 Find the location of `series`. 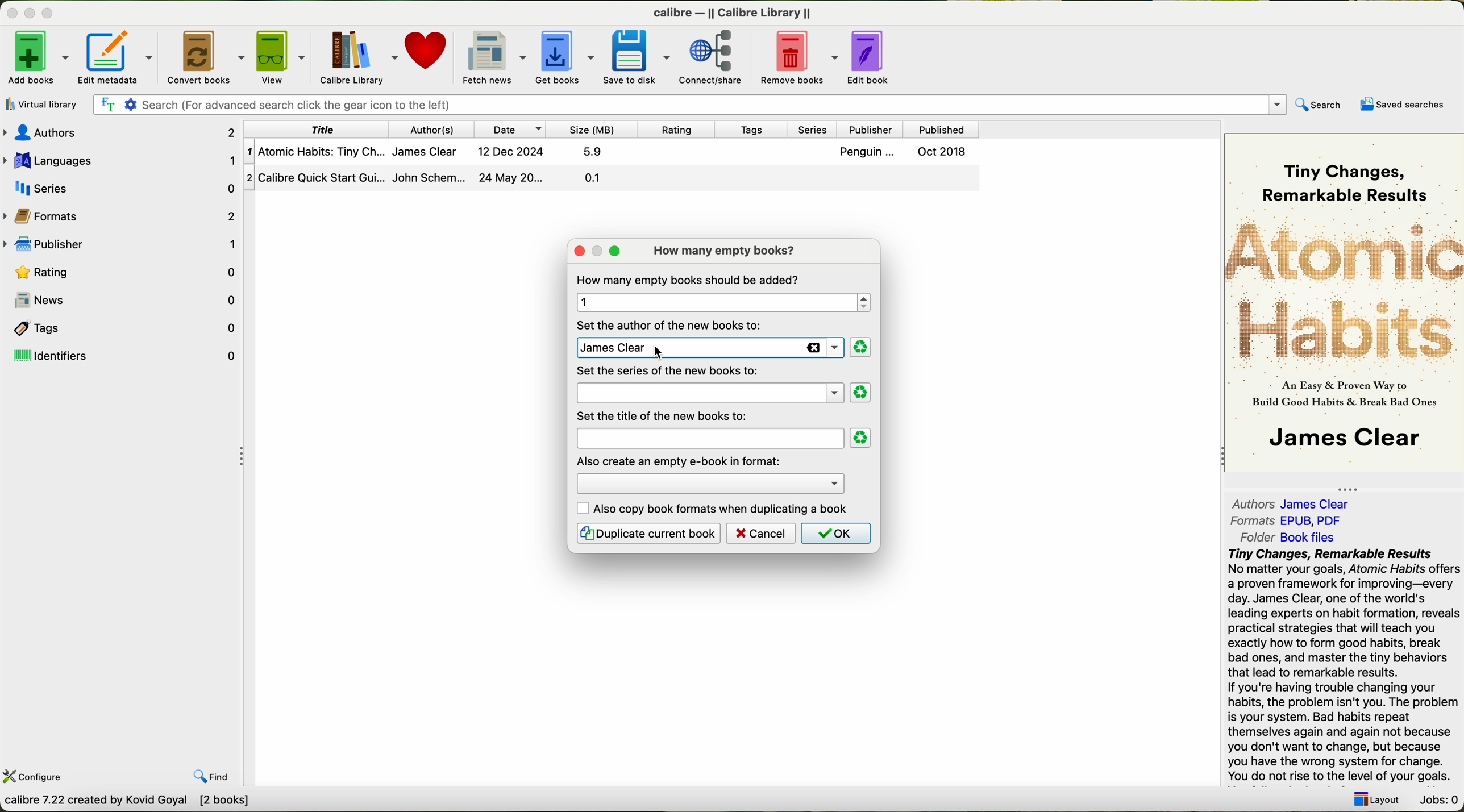

series is located at coordinates (119, 188).